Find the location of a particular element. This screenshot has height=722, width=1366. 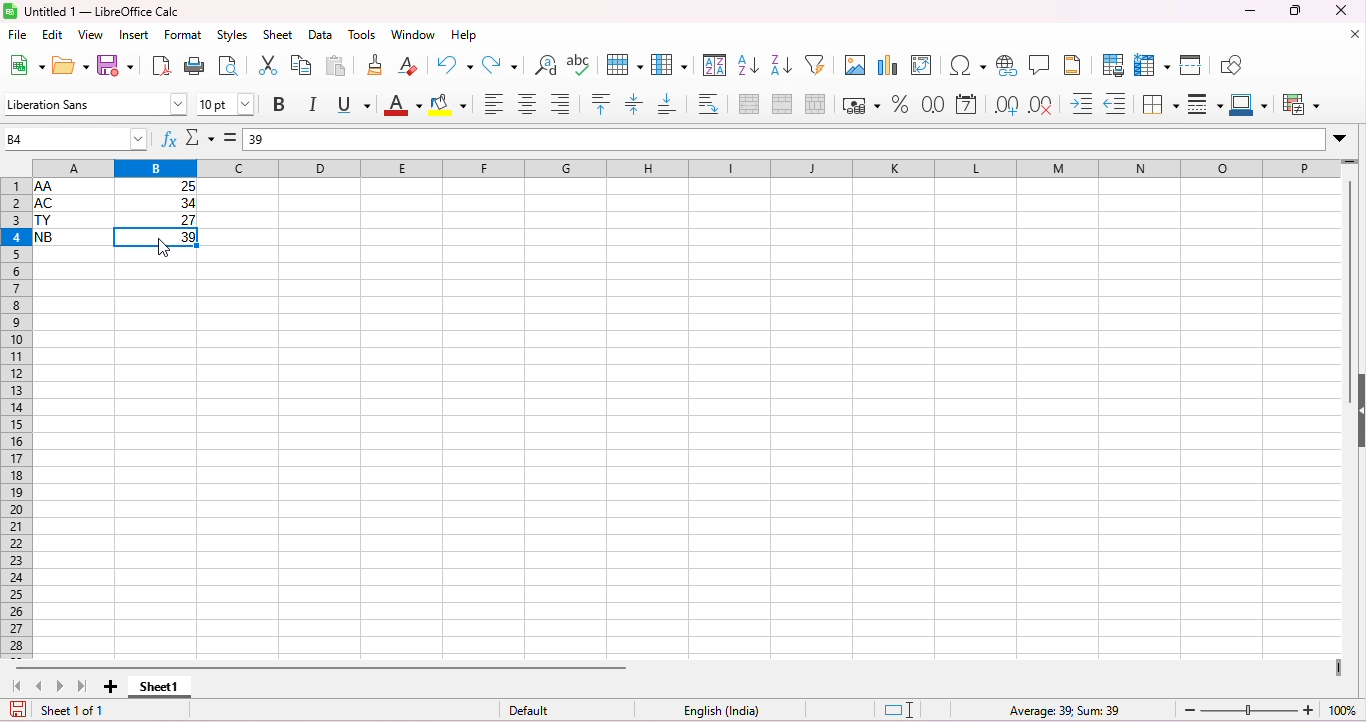

undo is located at coordinates (456, 64).